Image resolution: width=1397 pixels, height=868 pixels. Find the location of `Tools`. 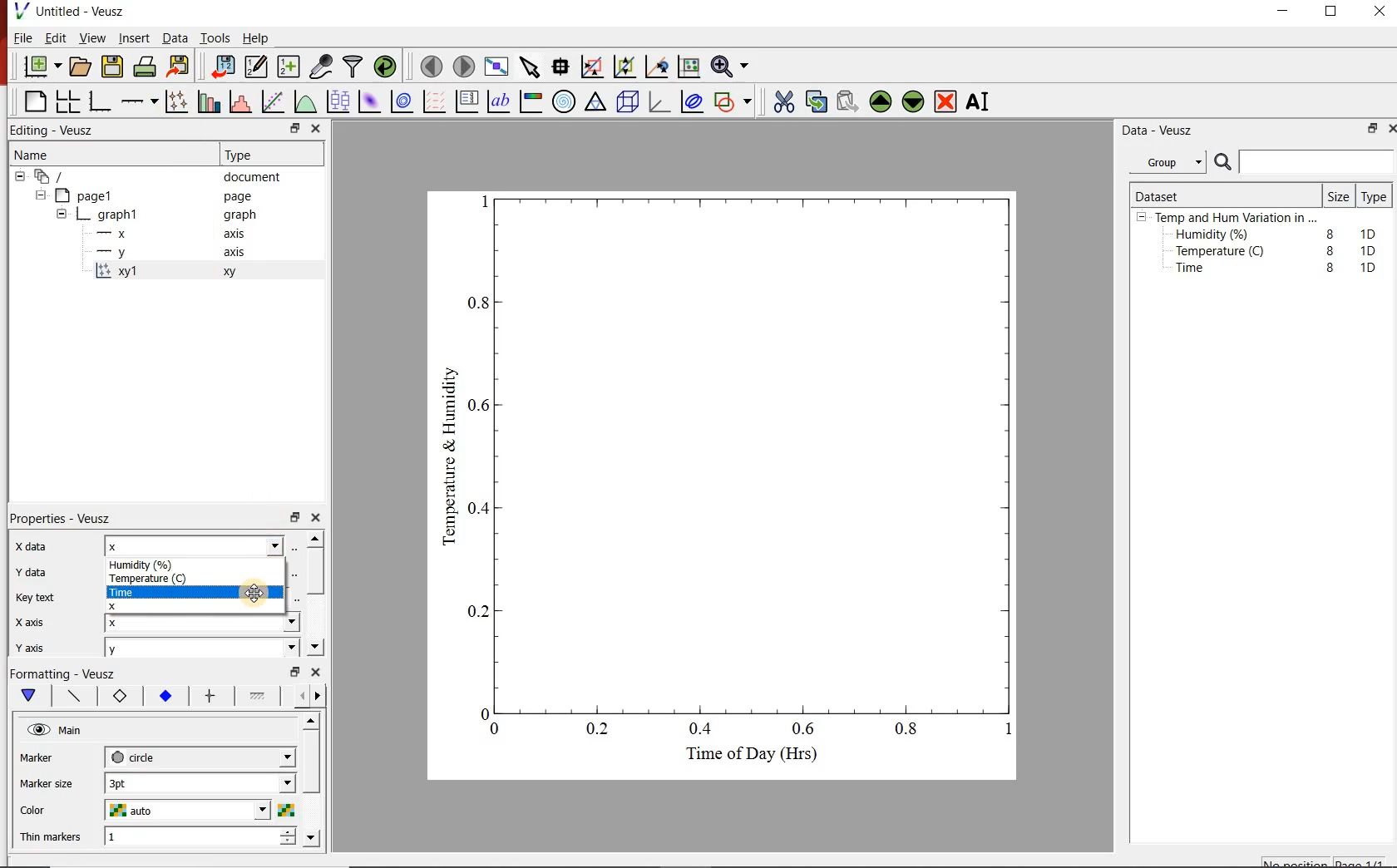

Tools is located at coordinates (214, 38).